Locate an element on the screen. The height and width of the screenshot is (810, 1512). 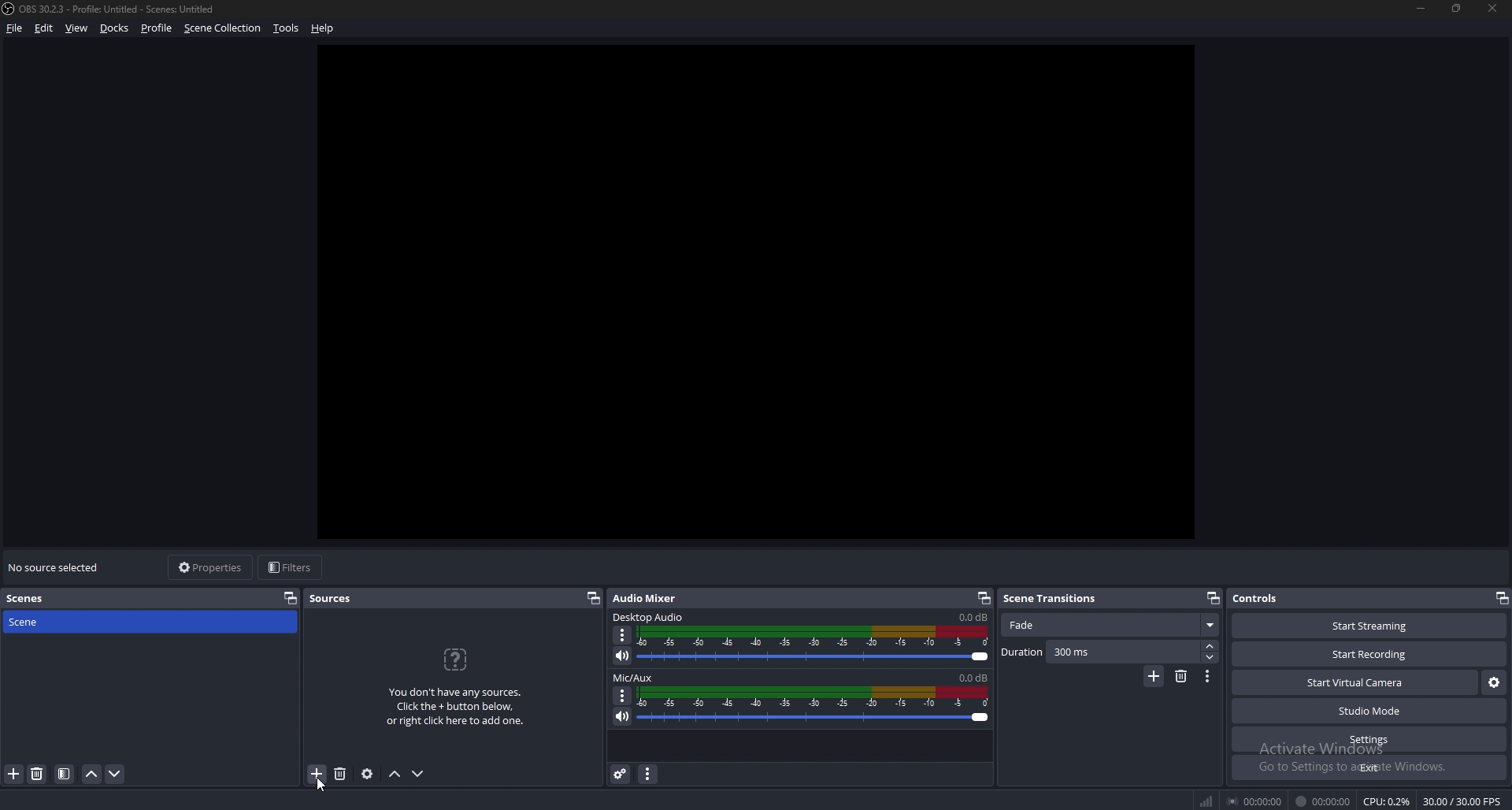
 Scene scene is located at coordinates (35, 620).